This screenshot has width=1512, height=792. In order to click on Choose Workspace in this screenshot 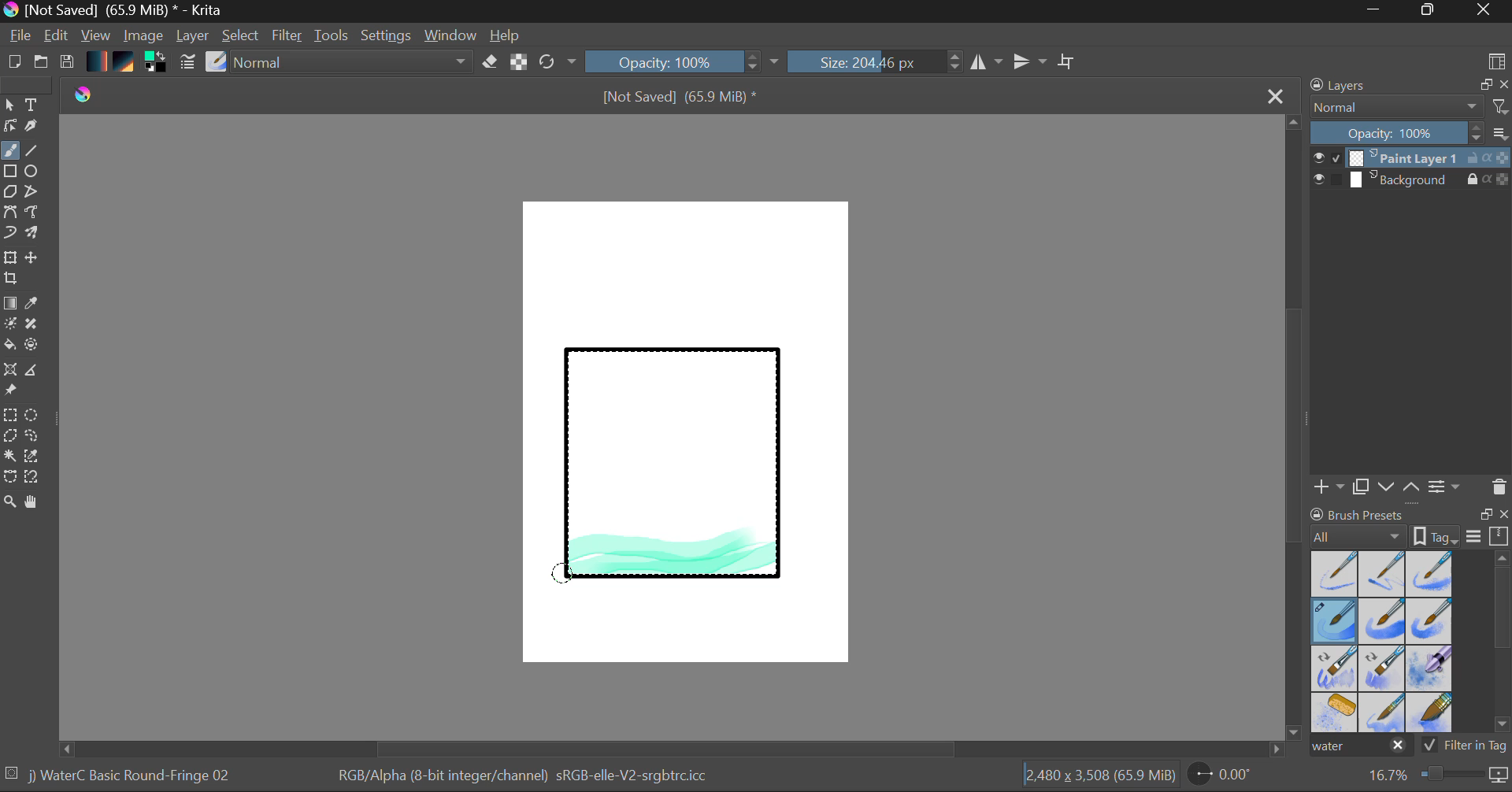, I will do `click(1496, 60)`.